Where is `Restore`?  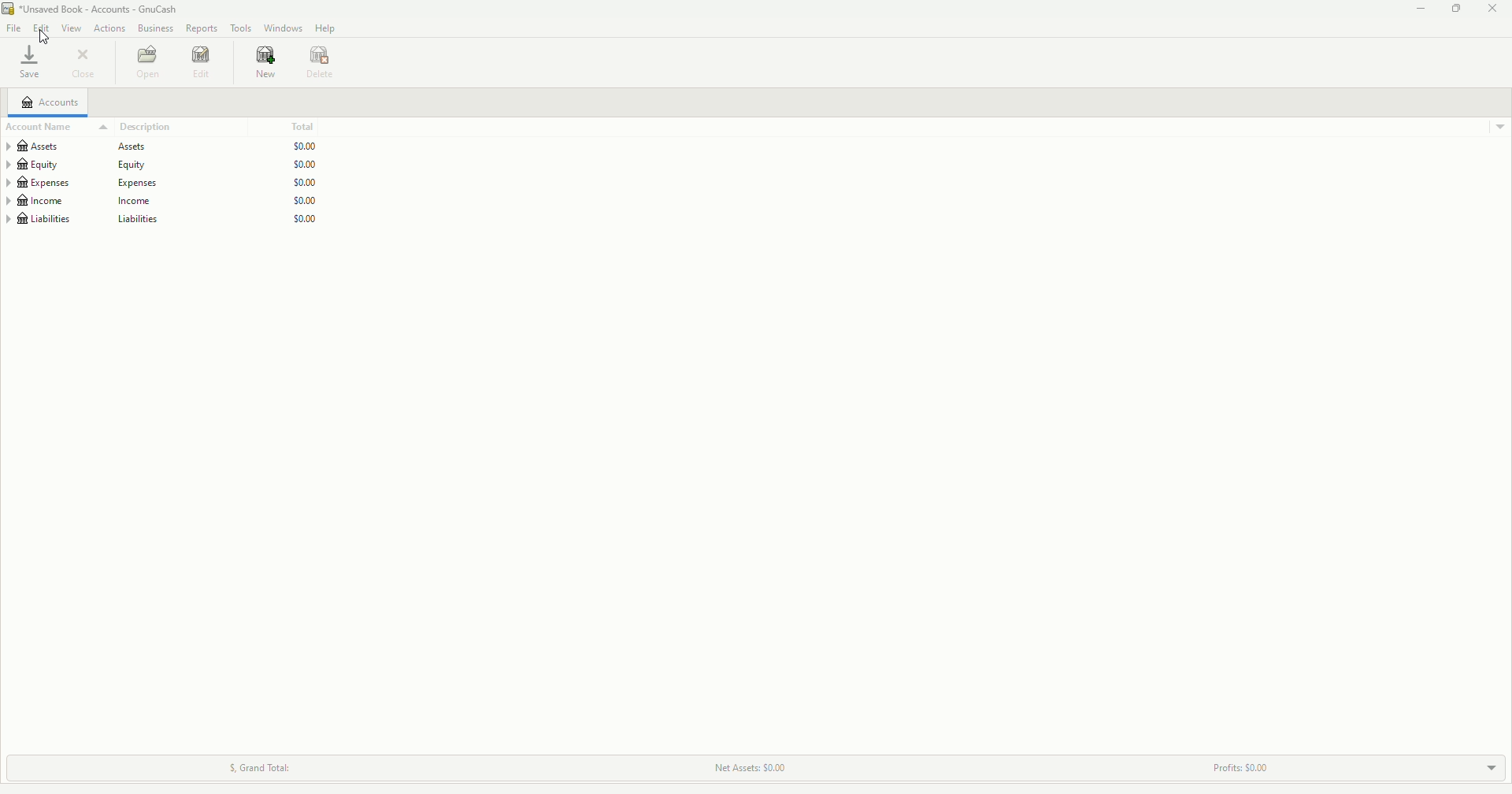
Restore is located at coordinates (1456, 9).